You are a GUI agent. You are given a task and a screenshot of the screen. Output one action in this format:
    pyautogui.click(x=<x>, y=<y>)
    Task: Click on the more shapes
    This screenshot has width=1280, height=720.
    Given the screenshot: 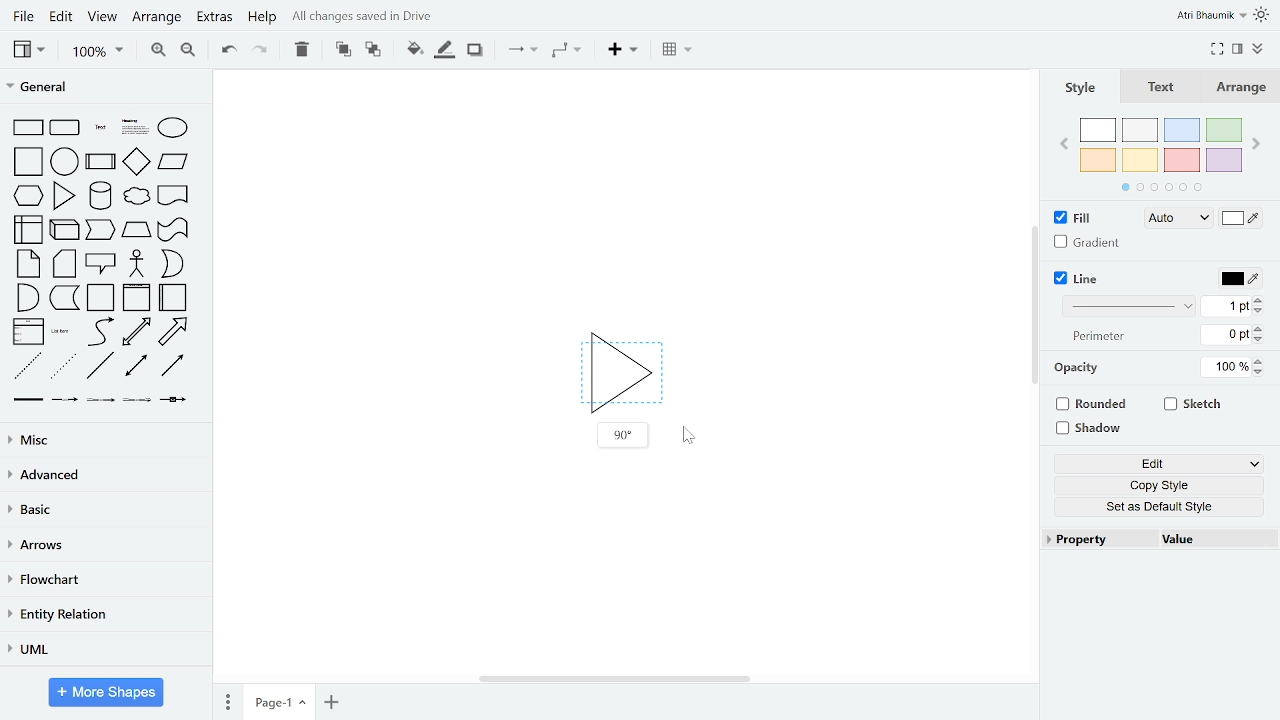 What is the action you would take?
    pyautogui.click(x=107, y=692)
    